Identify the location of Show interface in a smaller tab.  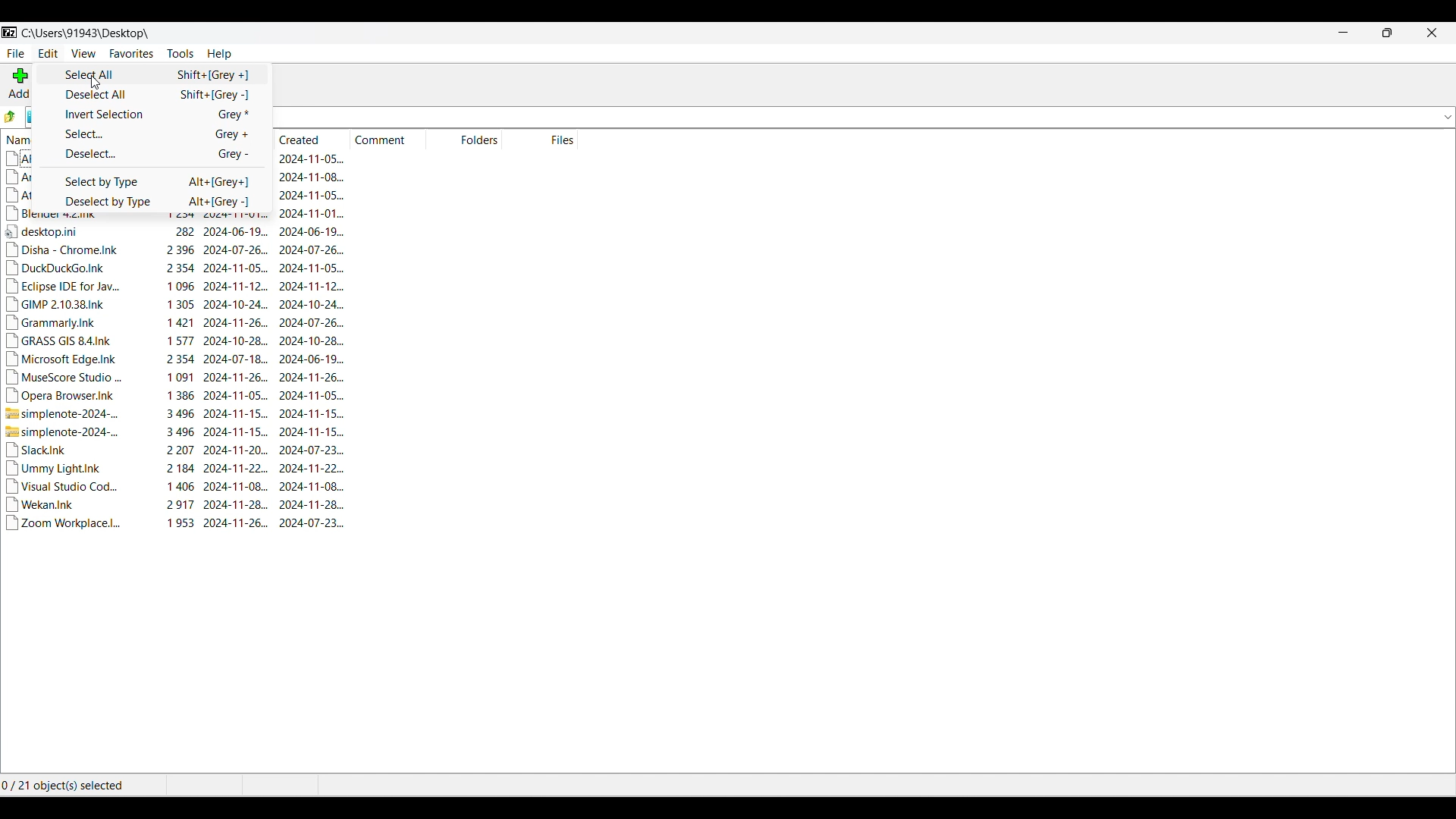
(1387, 33).